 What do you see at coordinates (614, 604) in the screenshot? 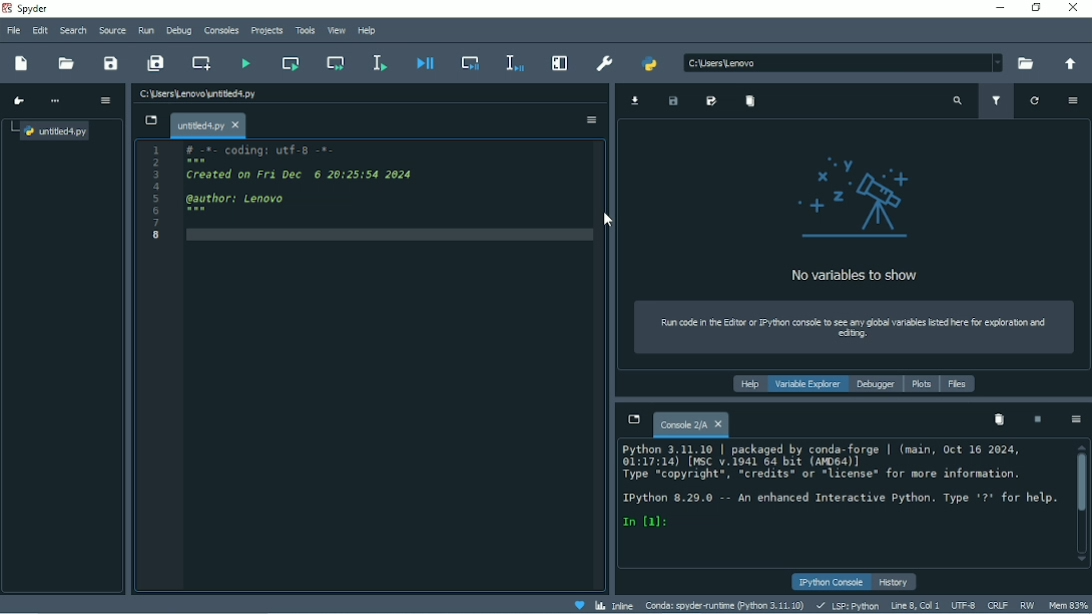
I see `Inline` at bounding box center [614, 604].